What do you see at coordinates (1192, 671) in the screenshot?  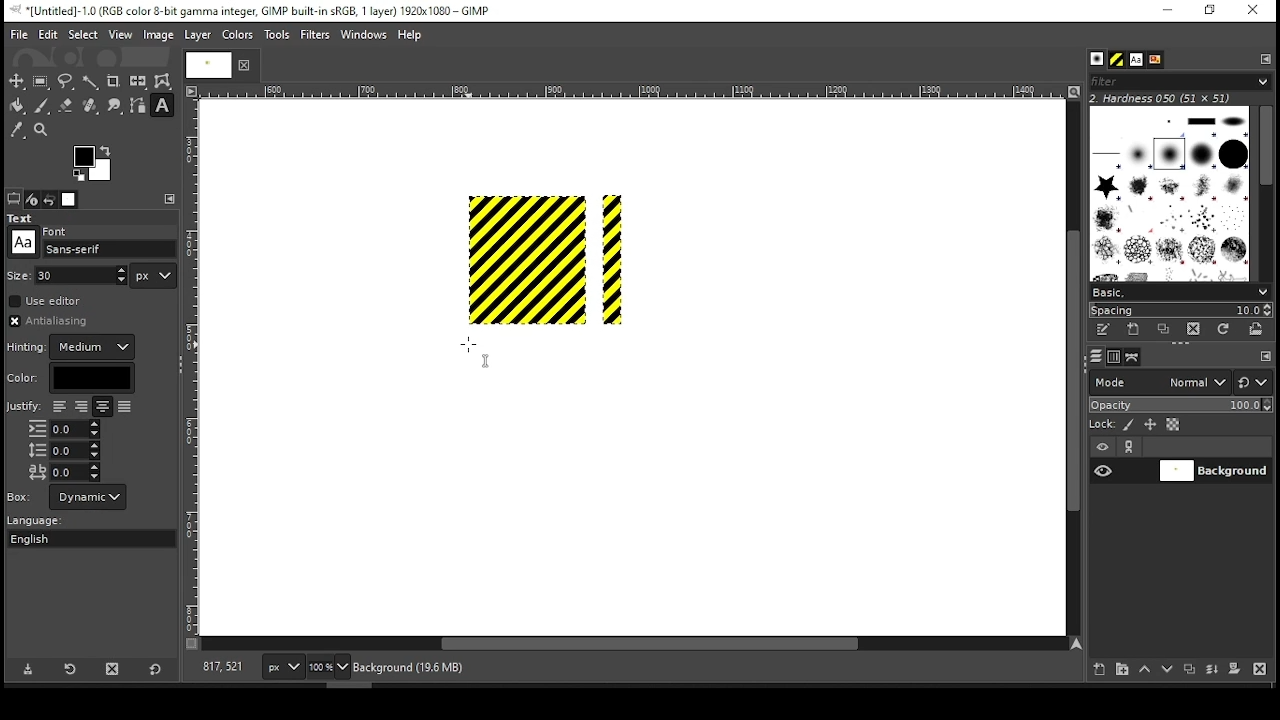 I see `duplicate layer` at bounding box center [1192, 671].